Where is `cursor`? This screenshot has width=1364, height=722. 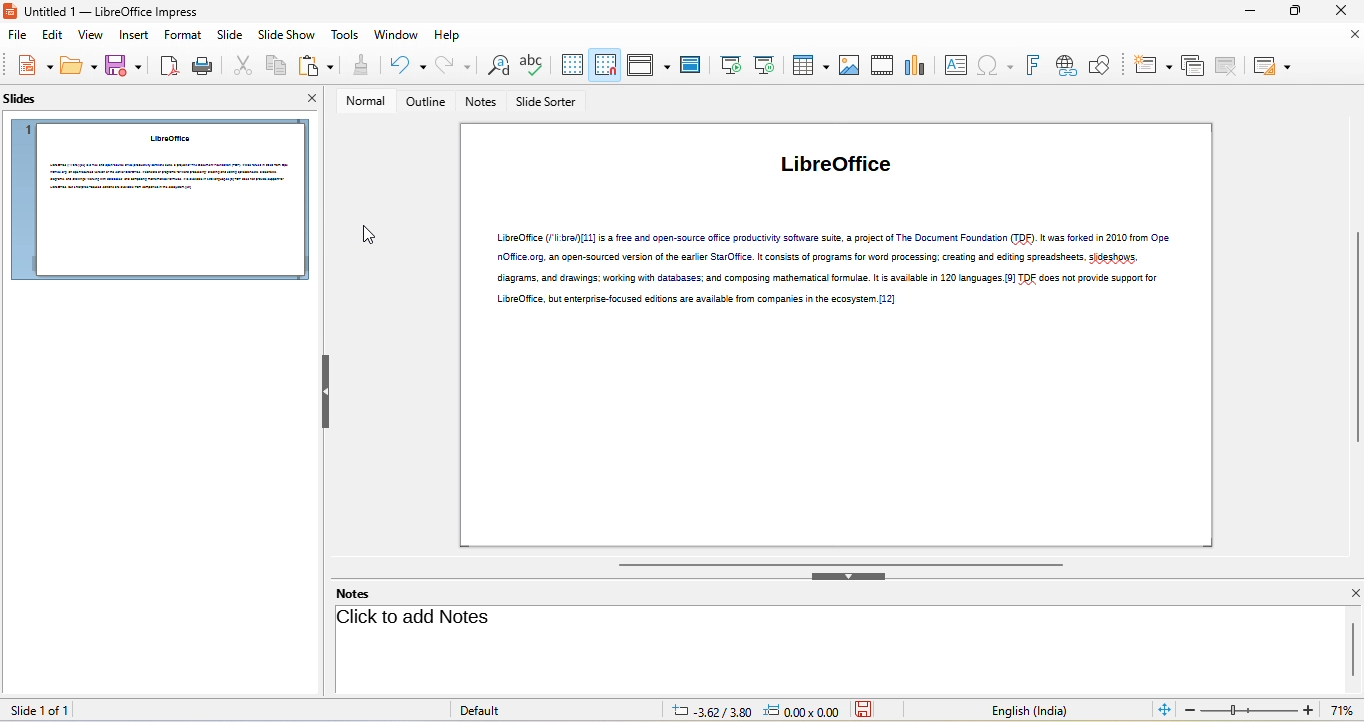 cursor is located at coordinates (370, 236).